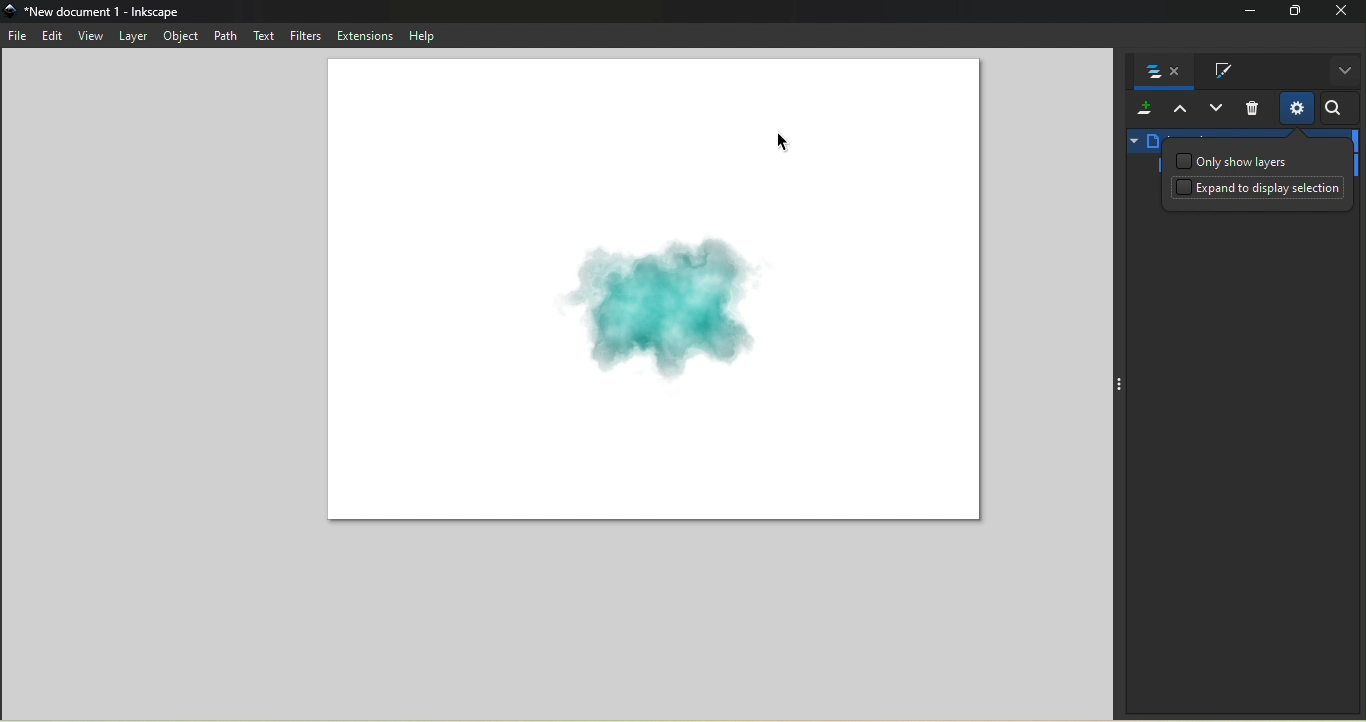  What do you see at coordinates (1178, 110) in the screenshot?
I see `Raise selection one step` at bounding box center [1178, 110].